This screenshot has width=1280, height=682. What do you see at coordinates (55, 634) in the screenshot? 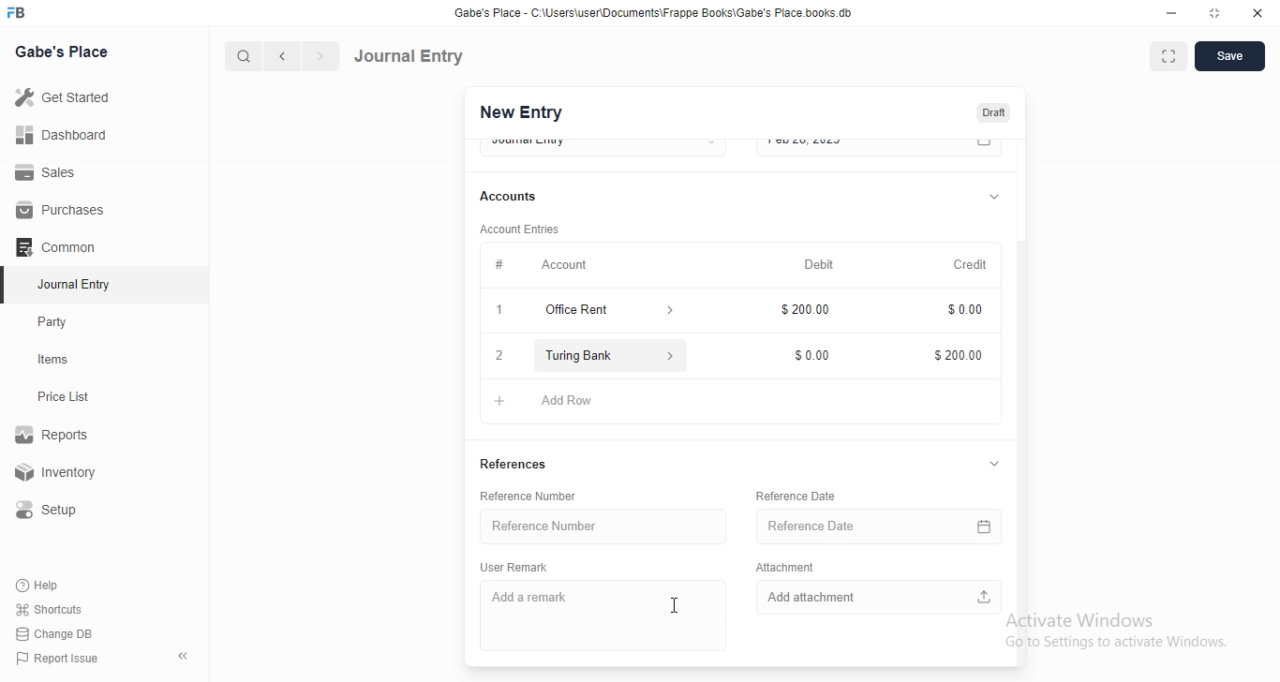
I see `‘Change DB` at bounding box center [55, 634].